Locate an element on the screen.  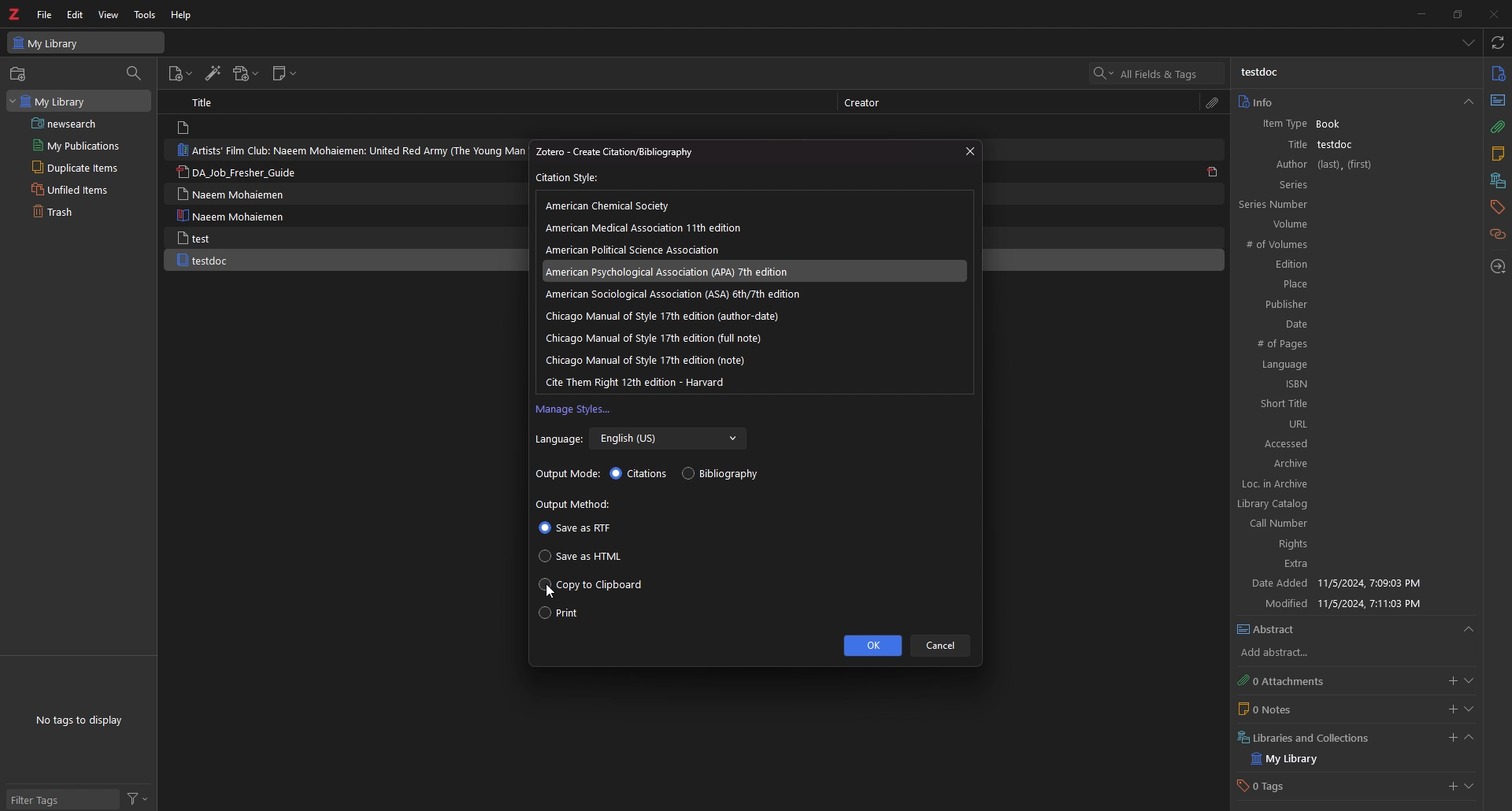
Publisher is located at coordinates (1345, 303).